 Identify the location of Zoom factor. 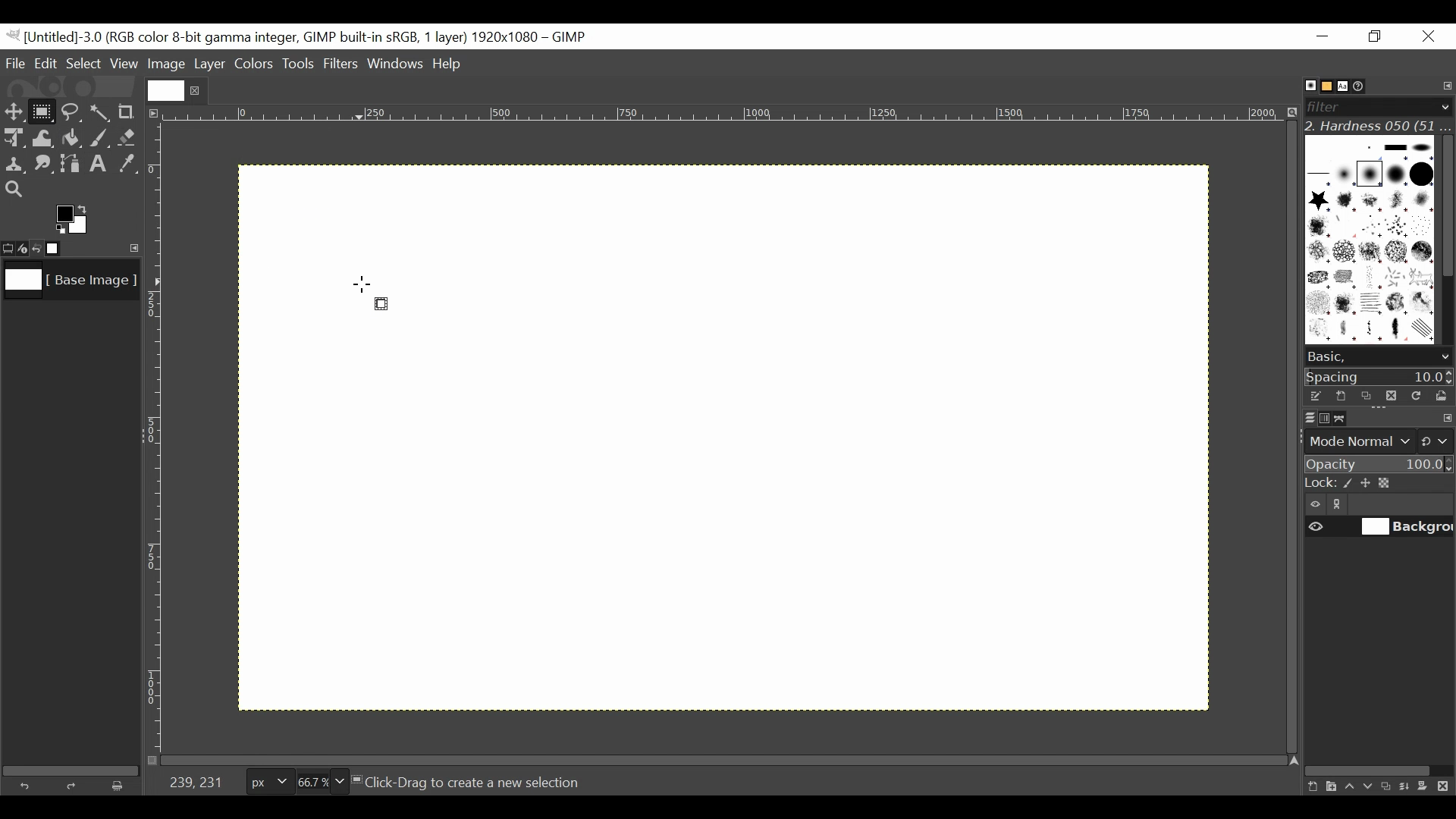
(322, 780).